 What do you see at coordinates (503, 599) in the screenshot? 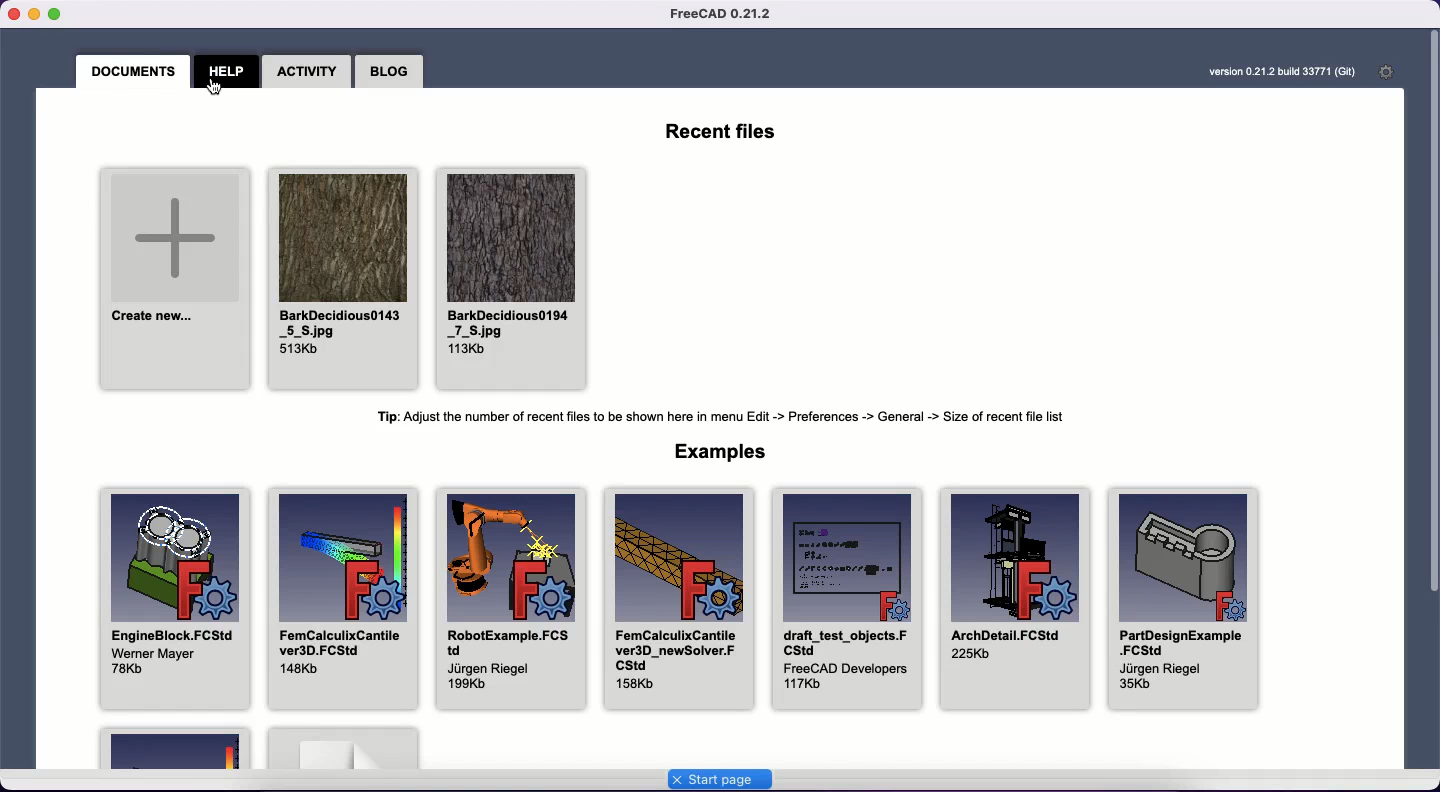
I see `RobotExample.FCStd` at bounding box center [503, 599].